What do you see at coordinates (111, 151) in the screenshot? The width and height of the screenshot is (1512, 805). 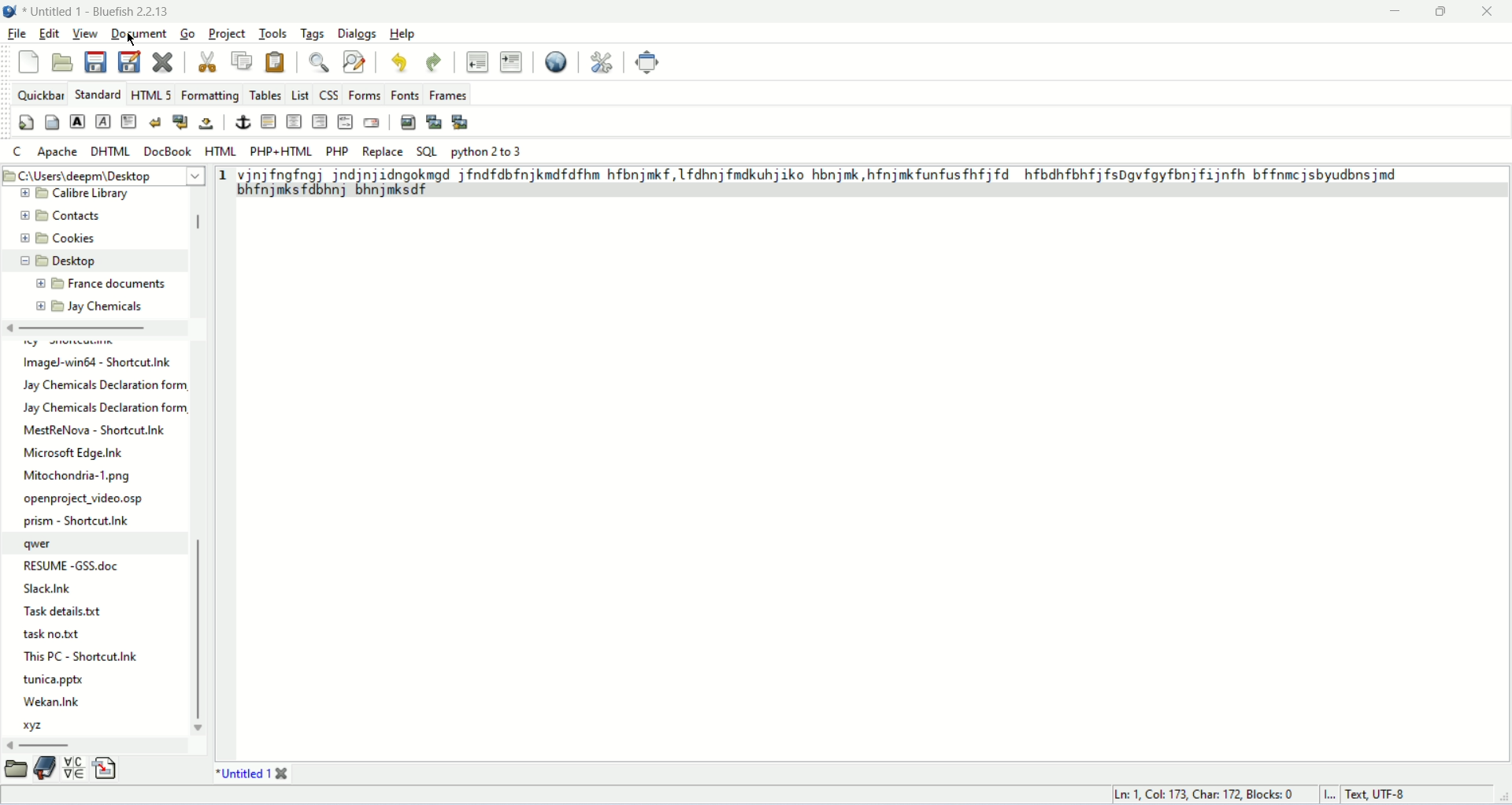 I see `DHTML` at bounding box center [111, 151].